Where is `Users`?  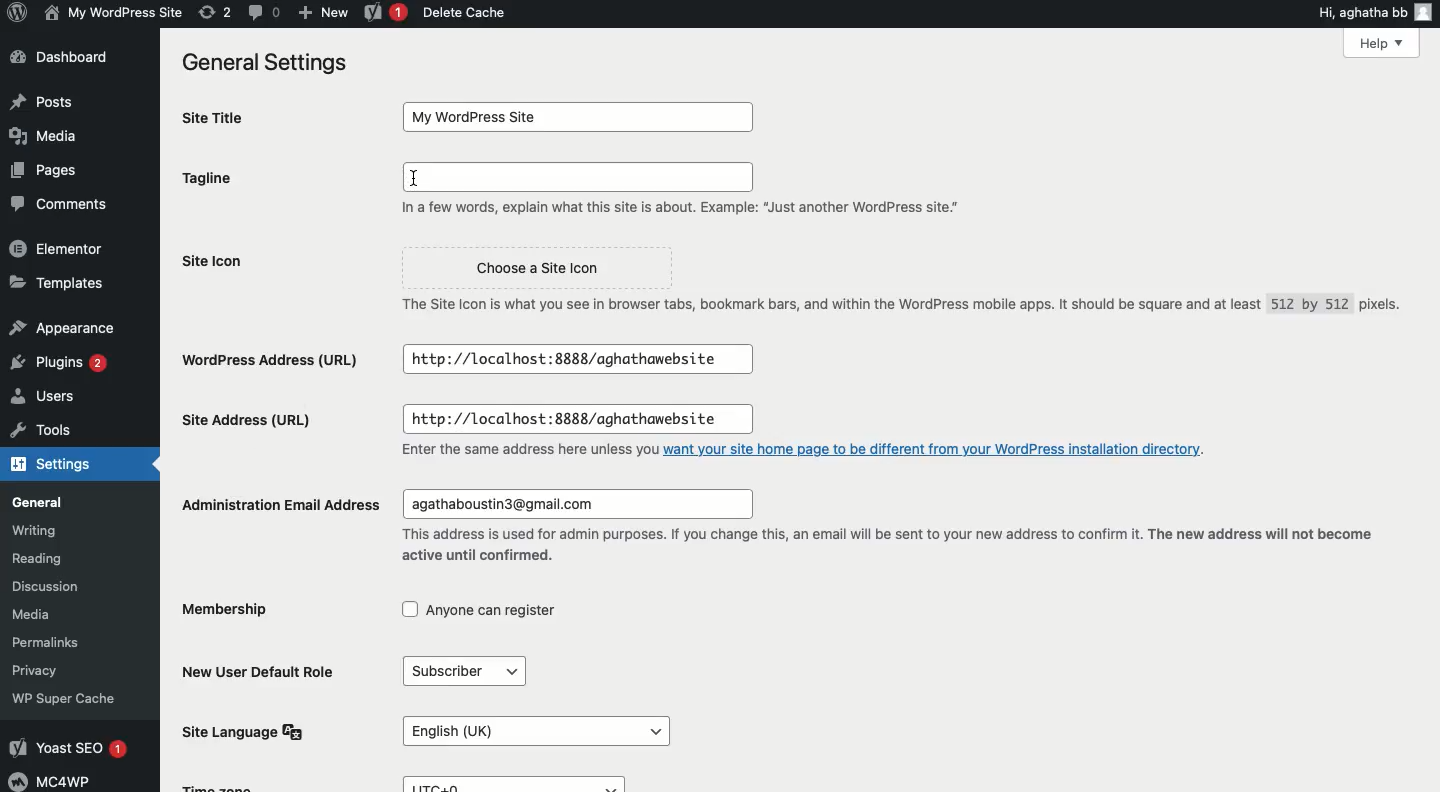 Users is located at coordinates (61, 399).